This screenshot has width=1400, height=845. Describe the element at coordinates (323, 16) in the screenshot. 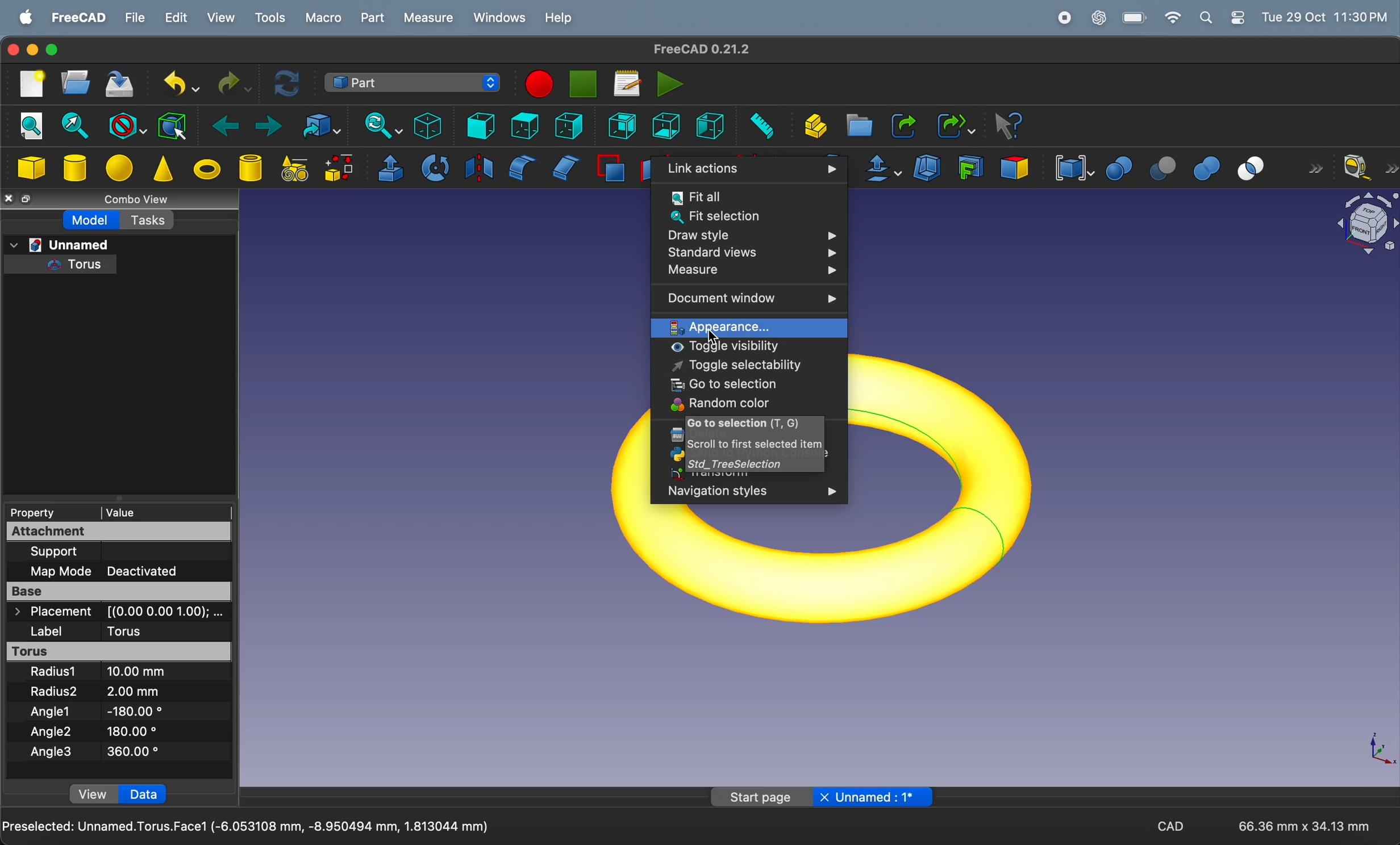

I see `marco` at that location.